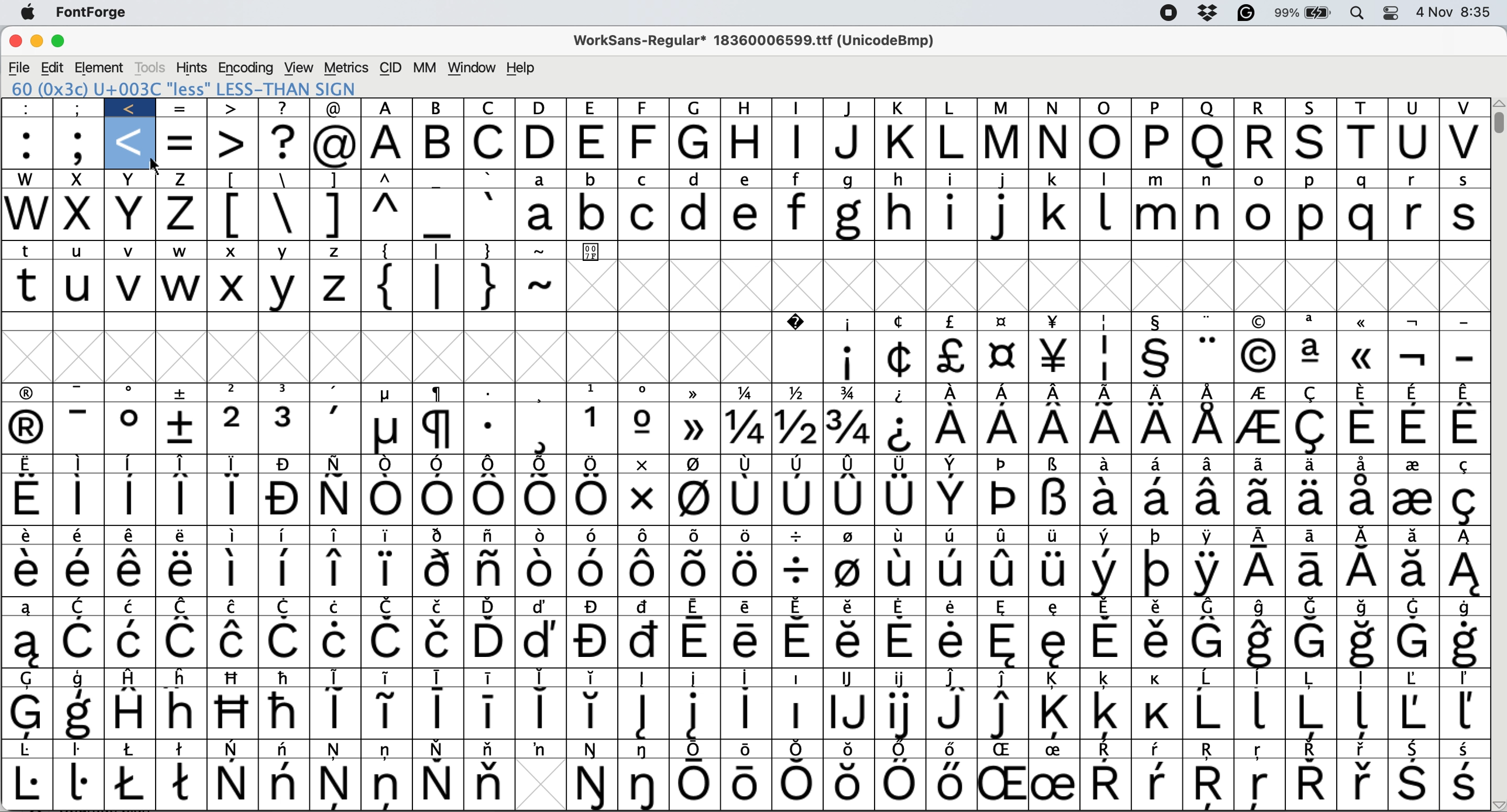 The width and height of the screenshot is (1507, 812). I want to click on x, so click(131, 180).